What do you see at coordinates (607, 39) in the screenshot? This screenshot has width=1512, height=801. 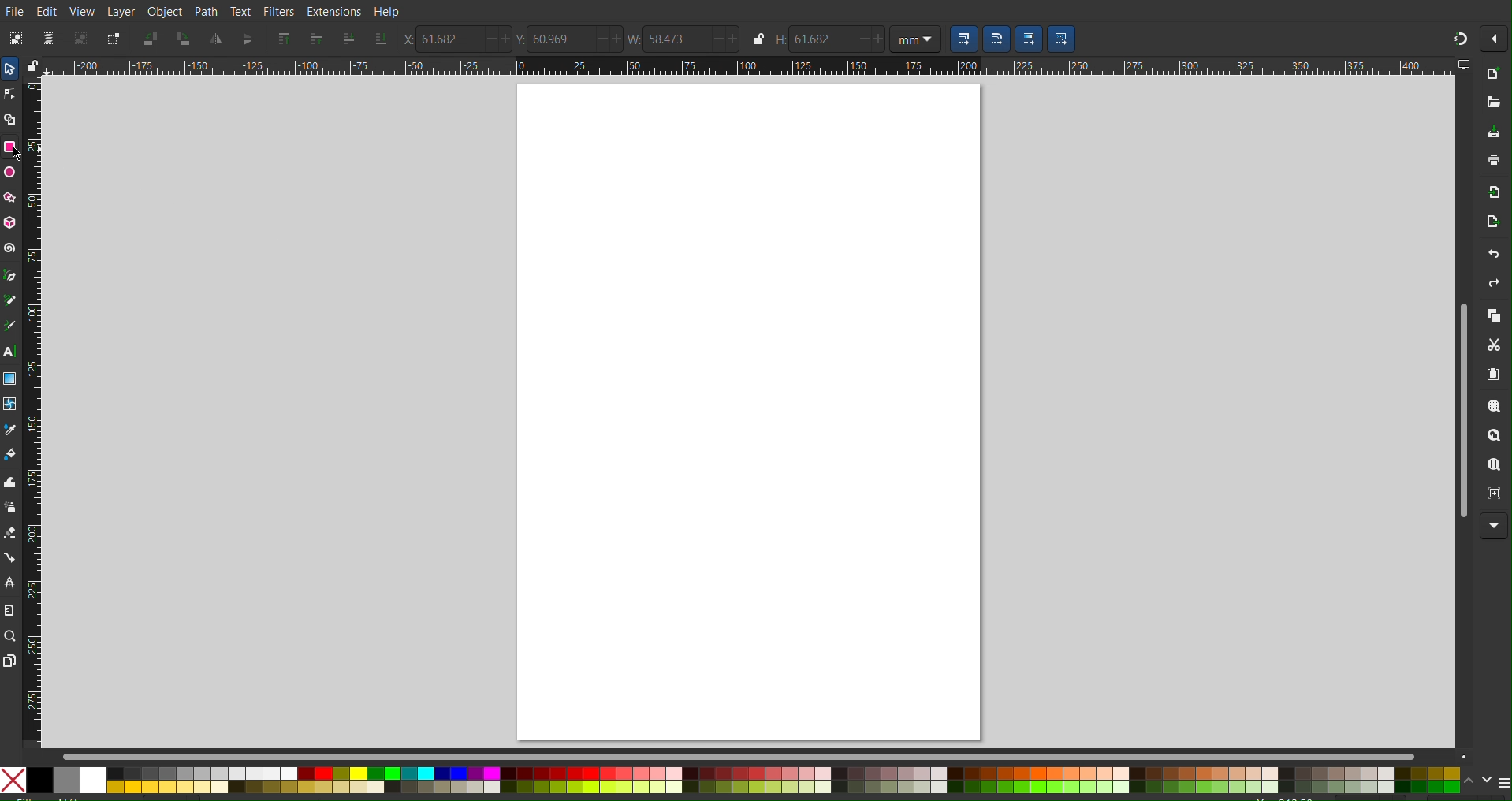 I see `increase/decrease` at bounding box center [607, 39].